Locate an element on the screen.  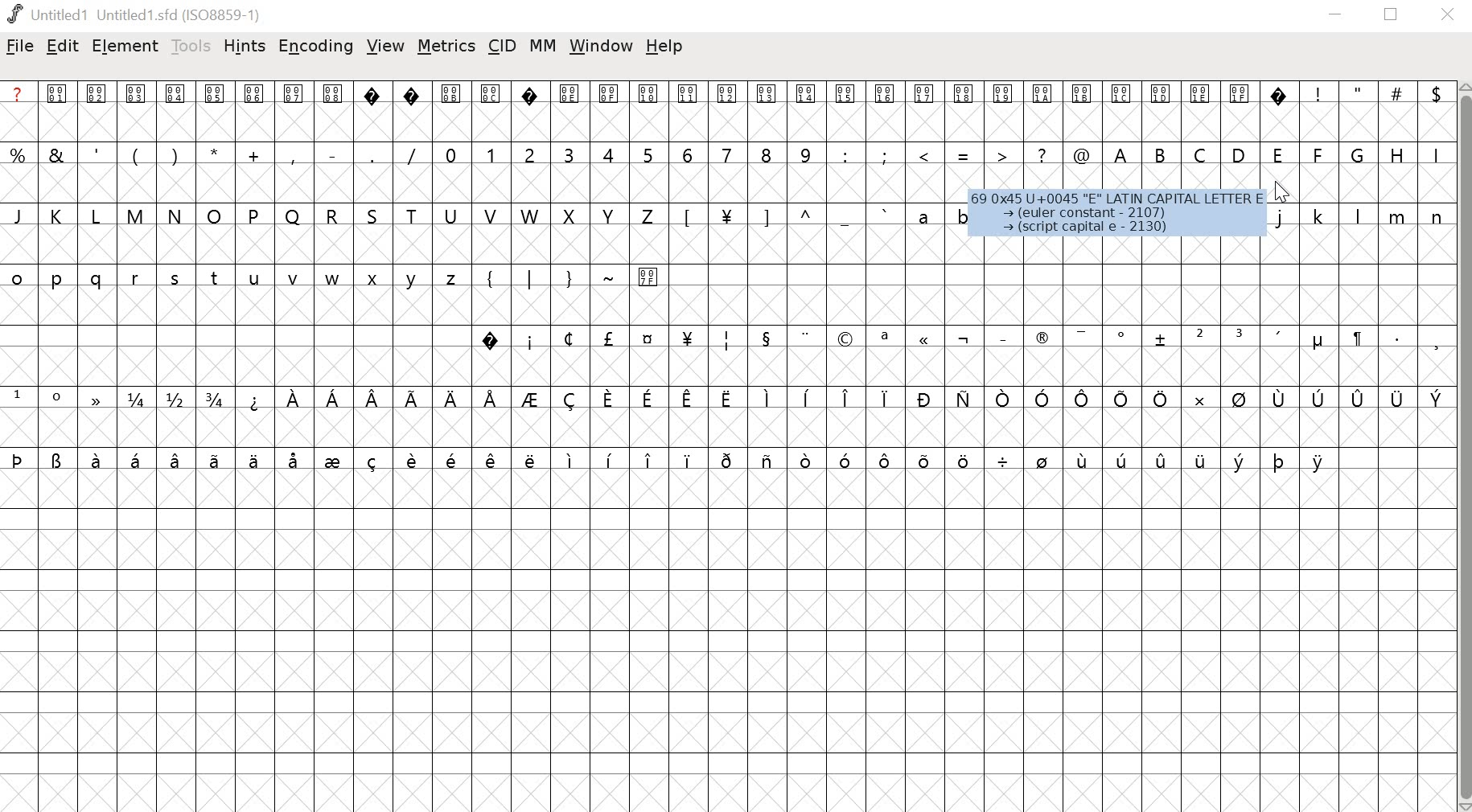
symbols is located at coordinates (968, 156).